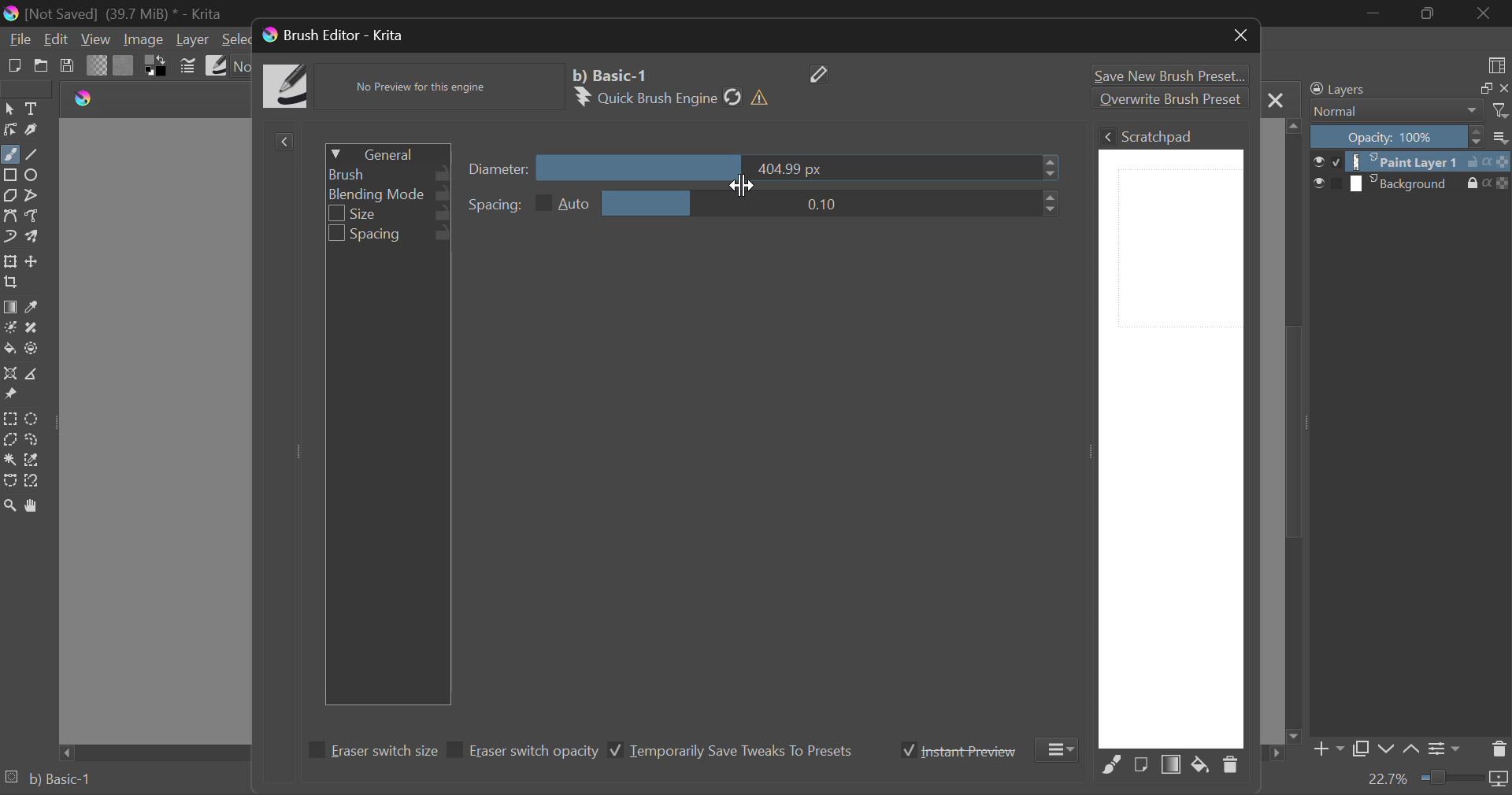 Image resolution: width=1512 pixels, height=795 pixels. I want to click on Minimize, so click(1429, 13).